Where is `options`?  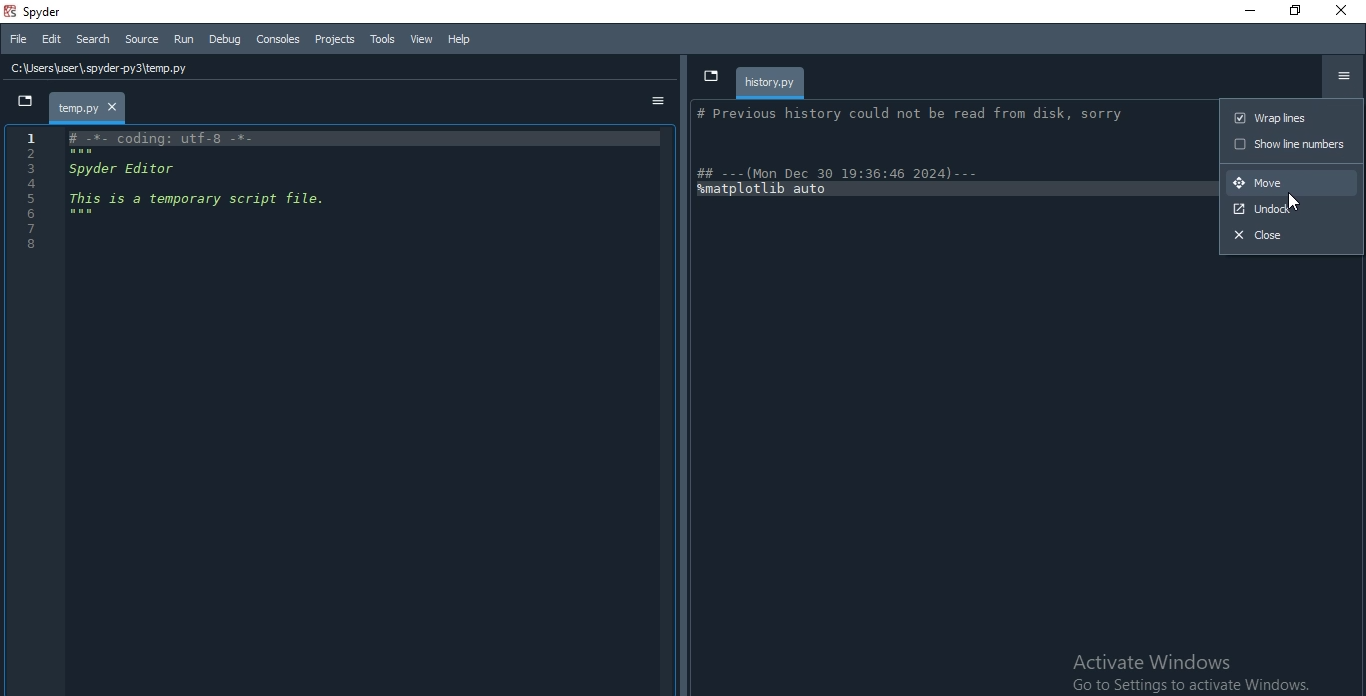 options is located at coordinates (1344, 74).